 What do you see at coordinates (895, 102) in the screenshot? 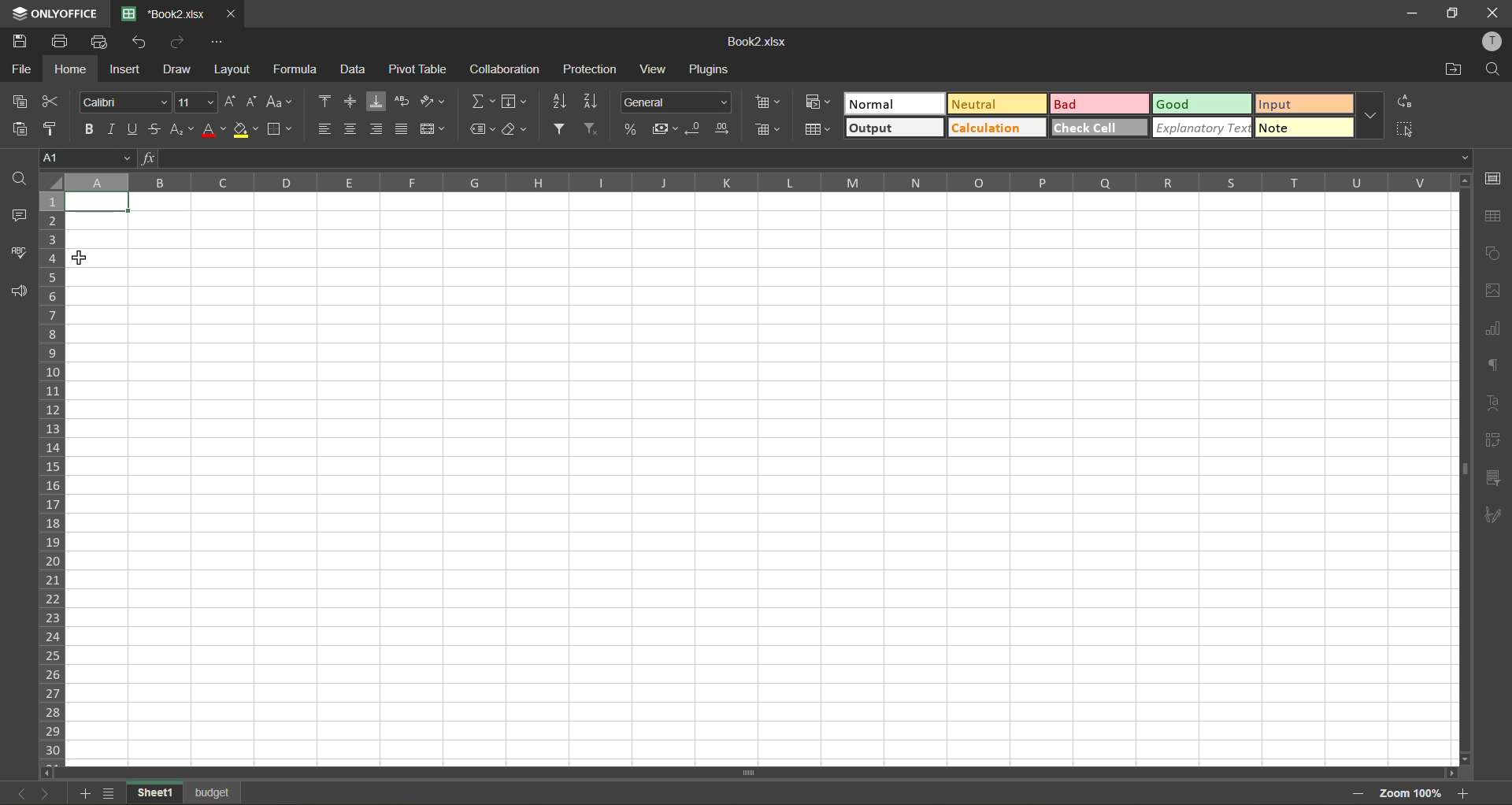
I see `normal` at bounding box center [895, 102].